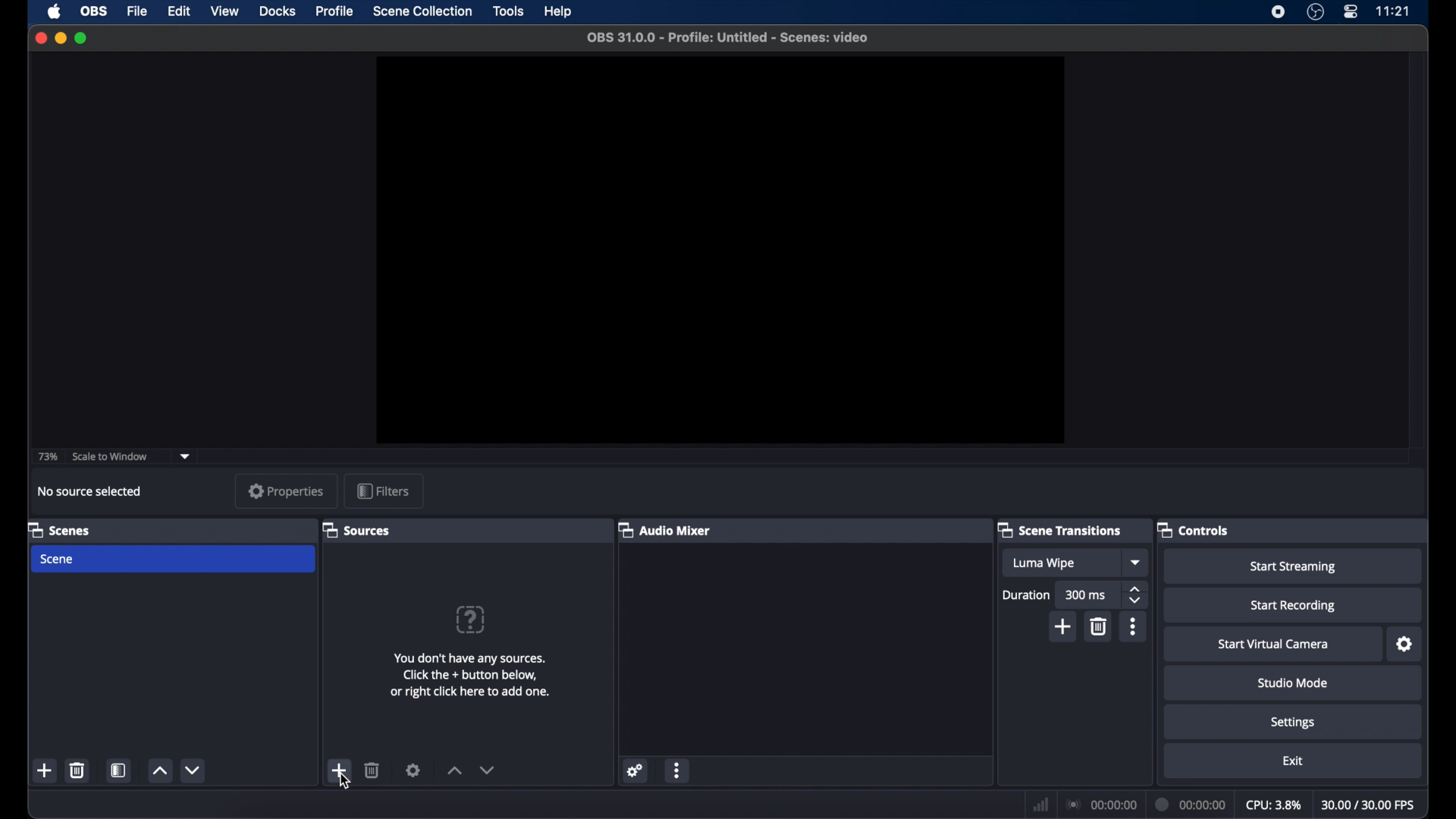  Describe the element at coordinates (1086, 595) in the screenshot. I see `300 ms` at that location.